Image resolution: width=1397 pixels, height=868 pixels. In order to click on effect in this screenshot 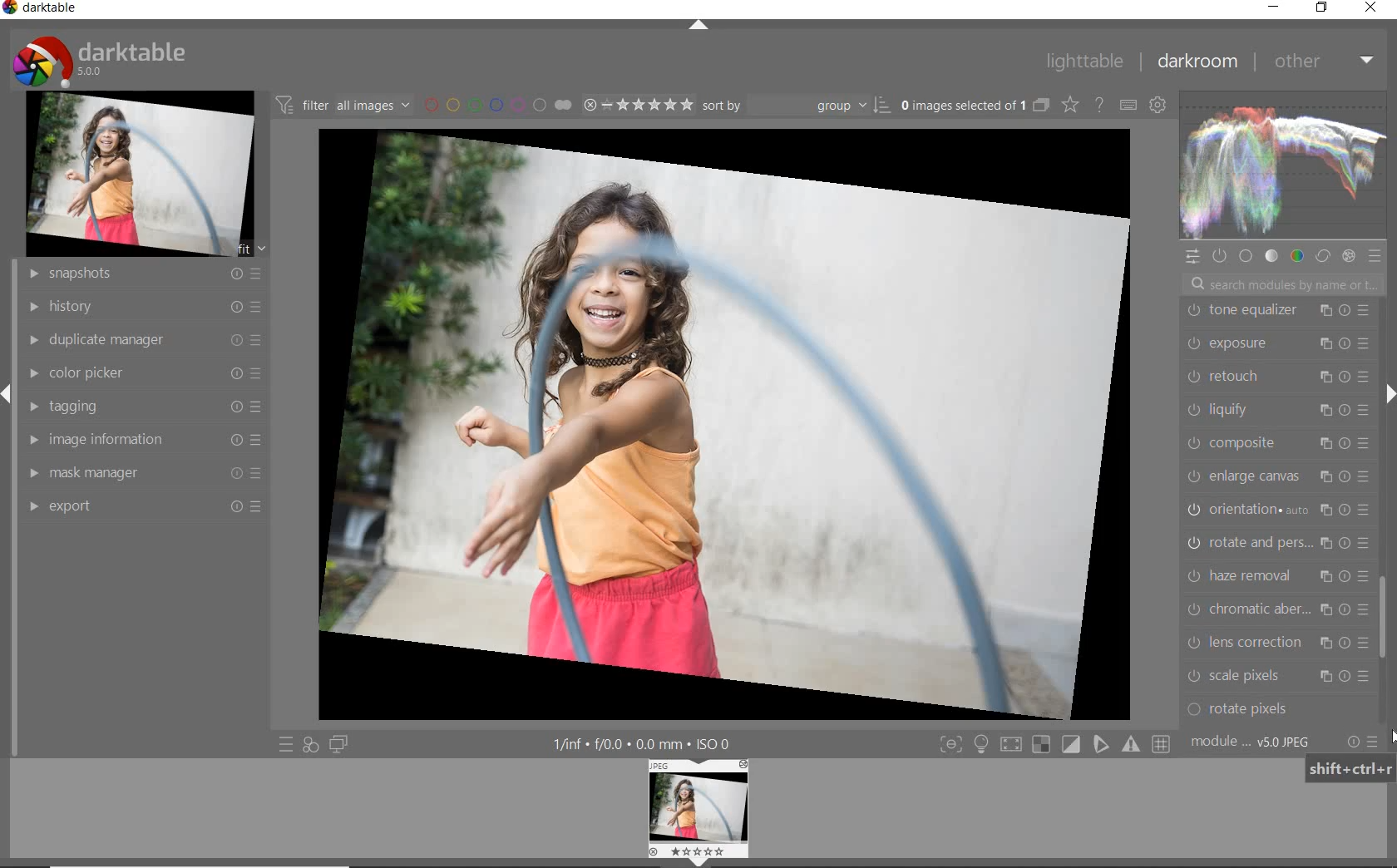, I will do `click(1350, 258)`.